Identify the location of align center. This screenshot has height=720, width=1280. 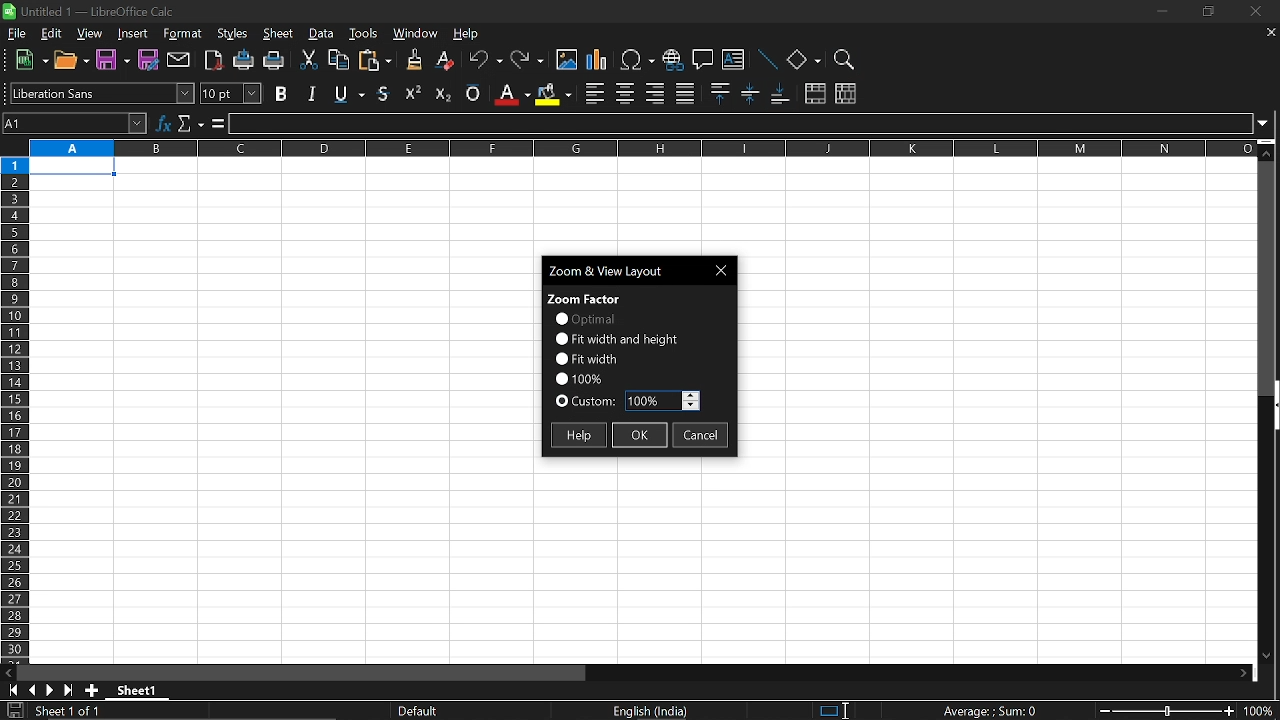
(625, 94).